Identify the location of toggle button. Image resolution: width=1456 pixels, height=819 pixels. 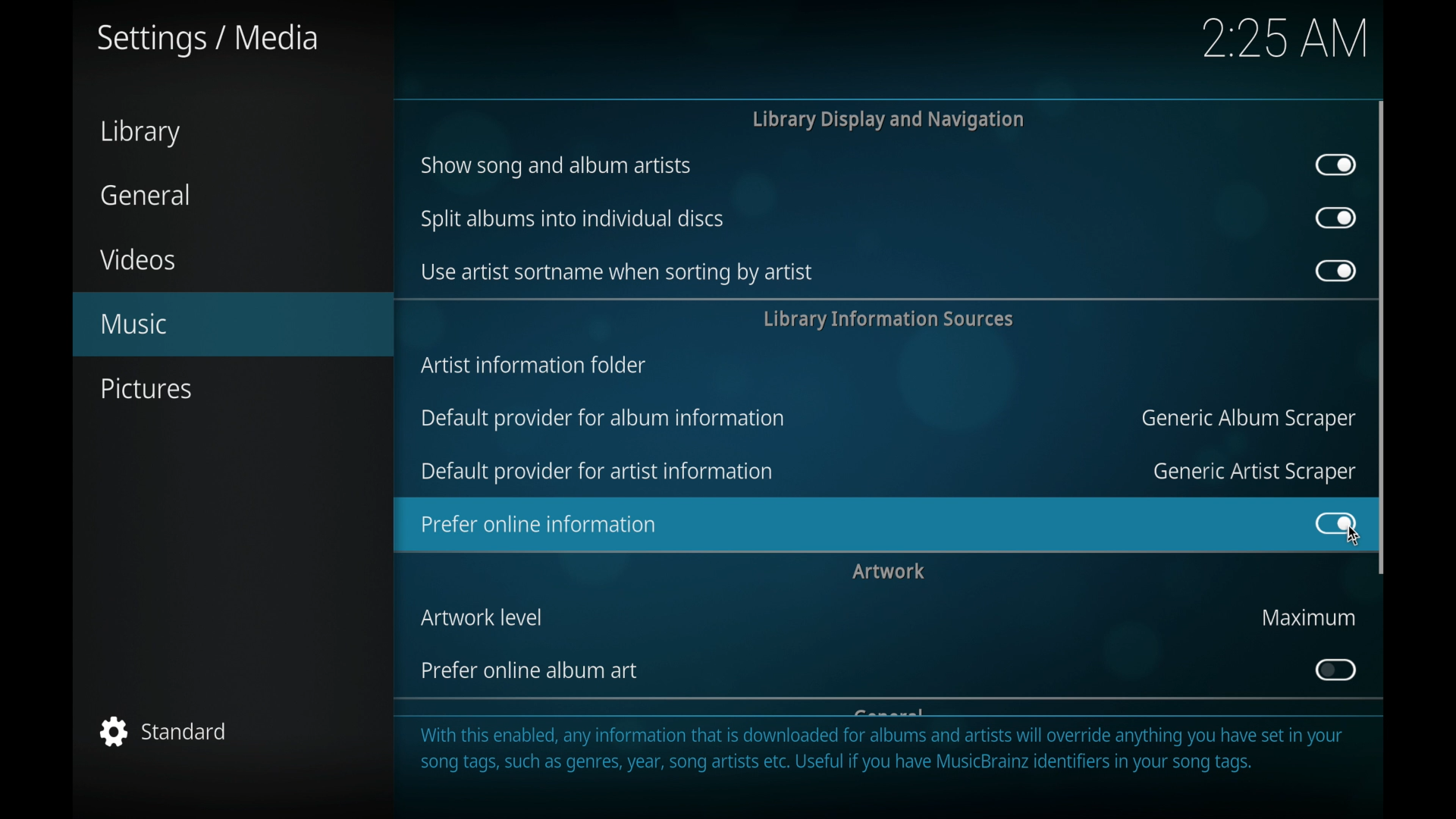
(1335, 218).